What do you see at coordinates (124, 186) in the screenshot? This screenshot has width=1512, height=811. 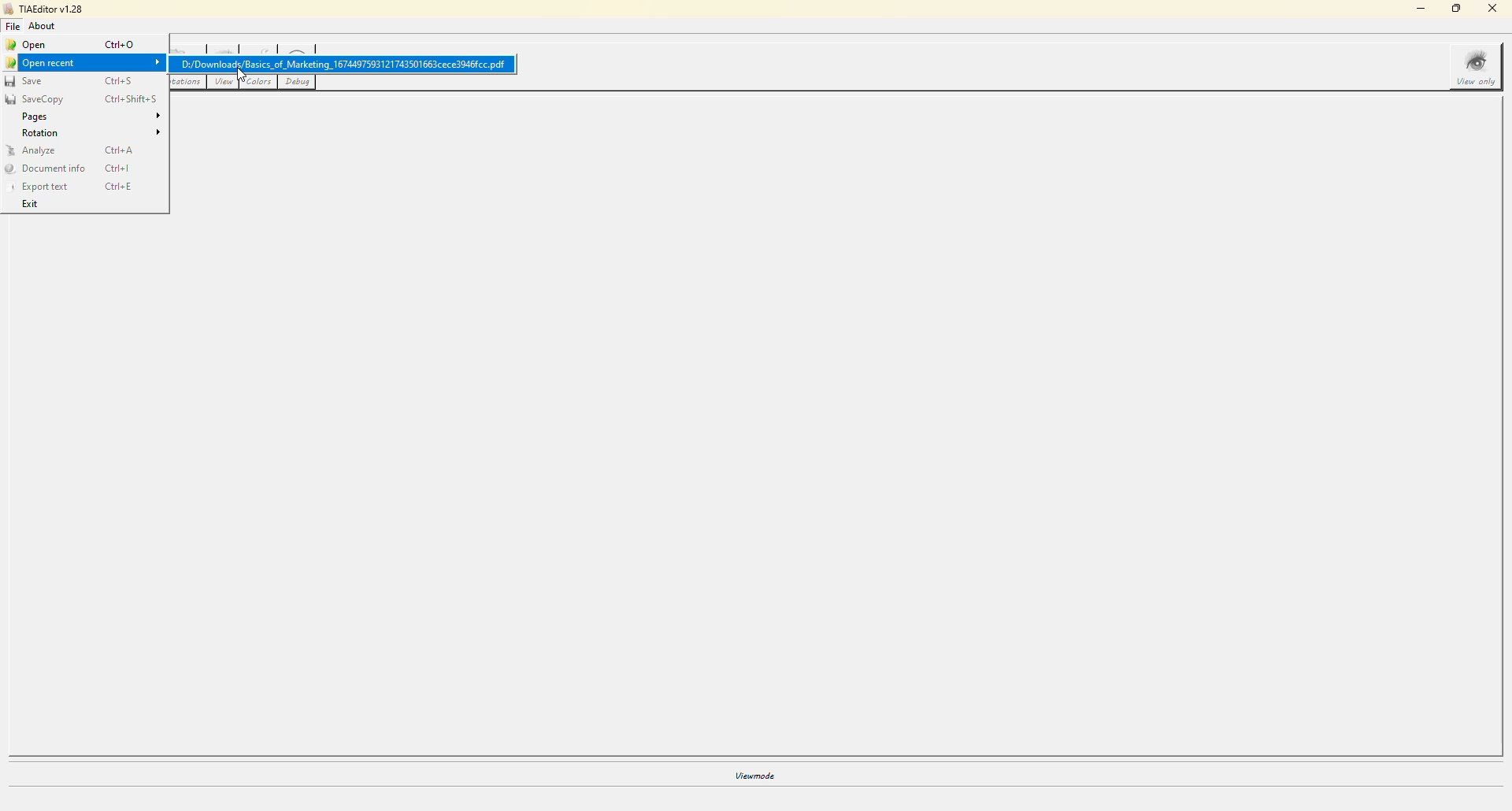 I see `ctrl+e` at bounding box center [124, 186].